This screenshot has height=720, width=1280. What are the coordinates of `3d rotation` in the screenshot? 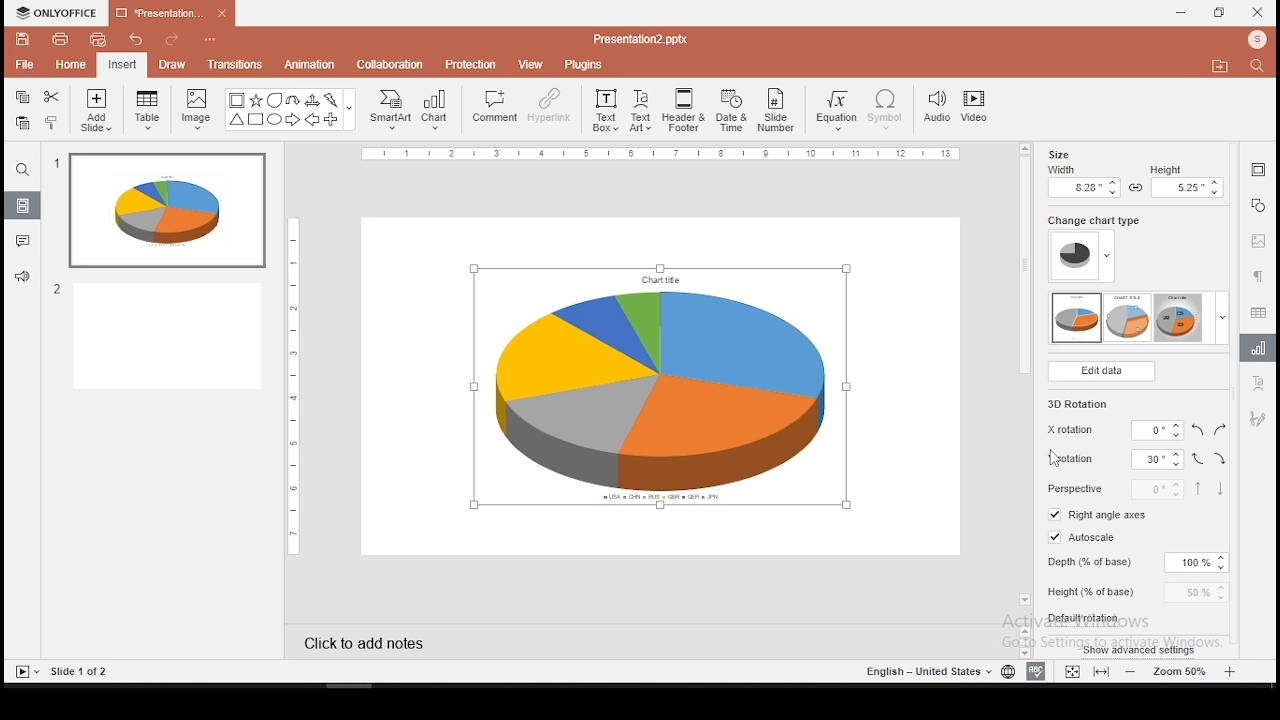 It's located at (1079, 402).